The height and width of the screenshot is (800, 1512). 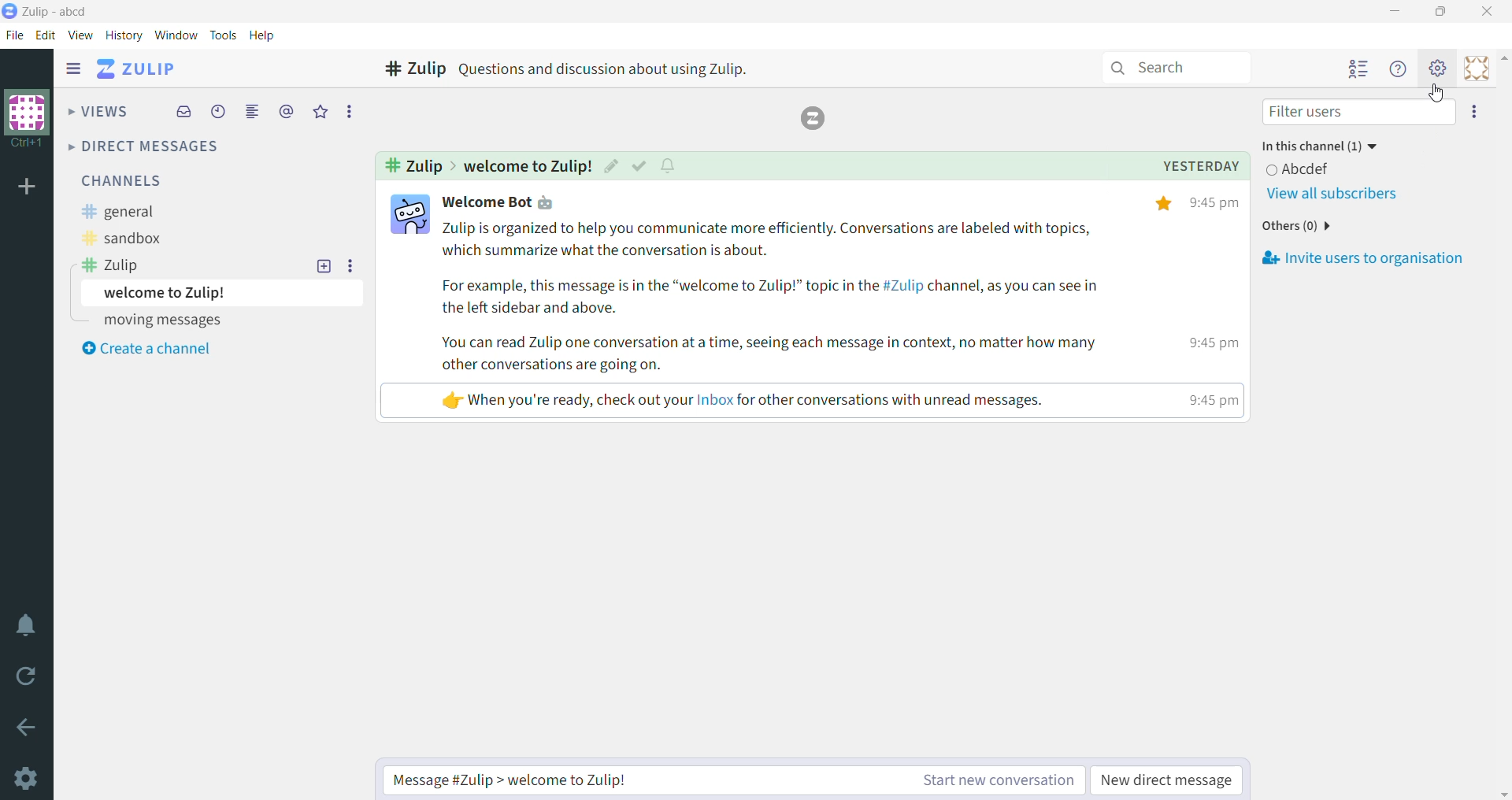 I want to click on Direct Messages, so click(x=147, y=146).